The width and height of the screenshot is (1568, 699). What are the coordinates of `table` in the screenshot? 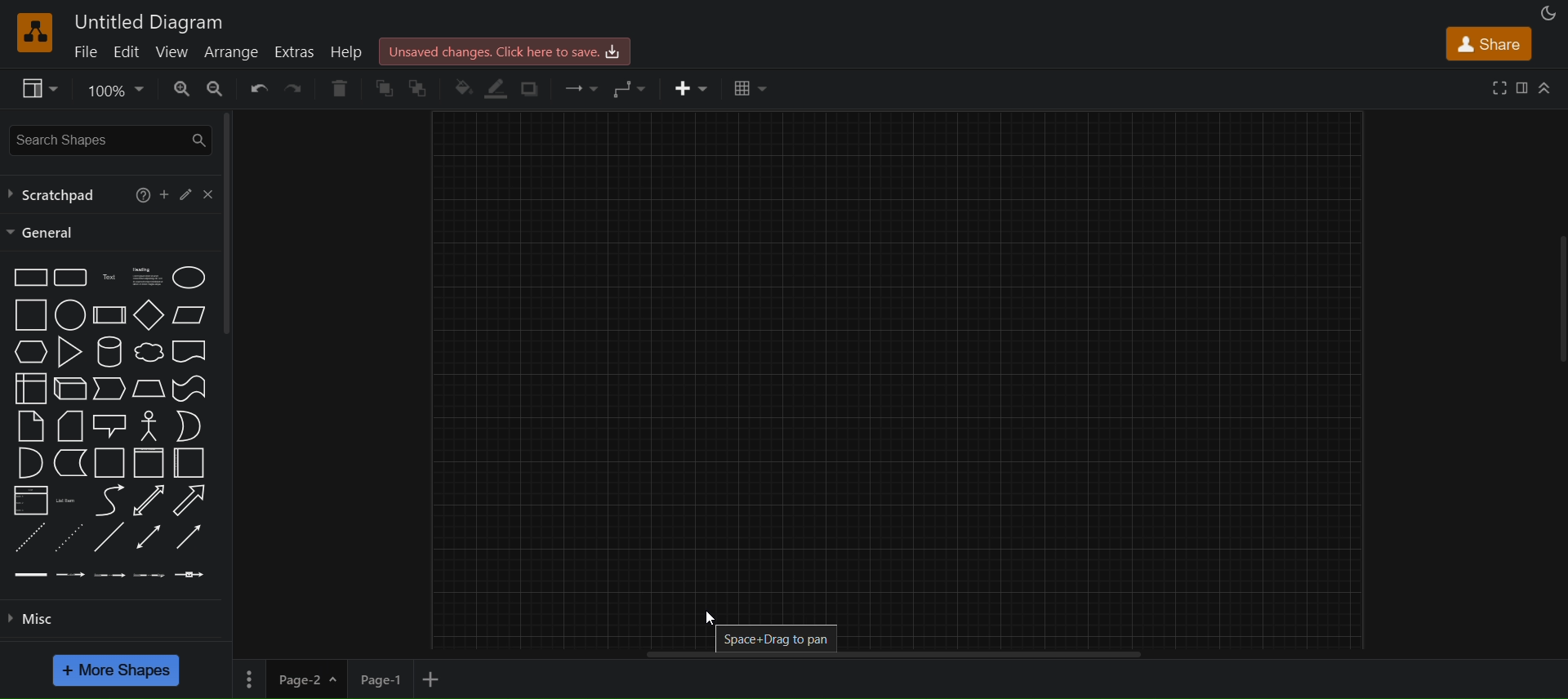 It's located at (750, 86).